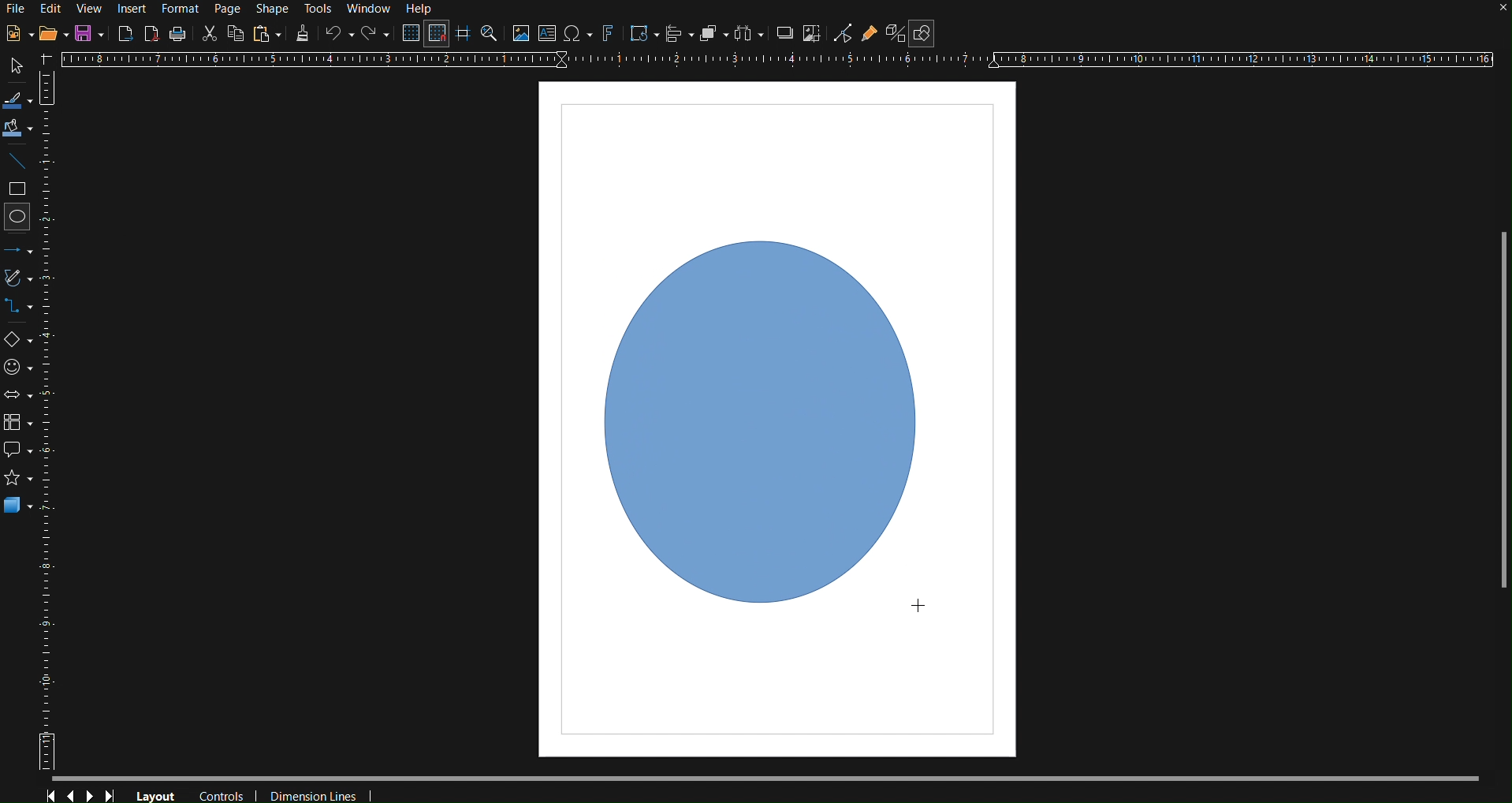 This screenshot has height=803, width=1512. What do you see at coordinates (546, 35) in the screenshot?
I see `Insert Texbox` at bounding box center [546, 35].